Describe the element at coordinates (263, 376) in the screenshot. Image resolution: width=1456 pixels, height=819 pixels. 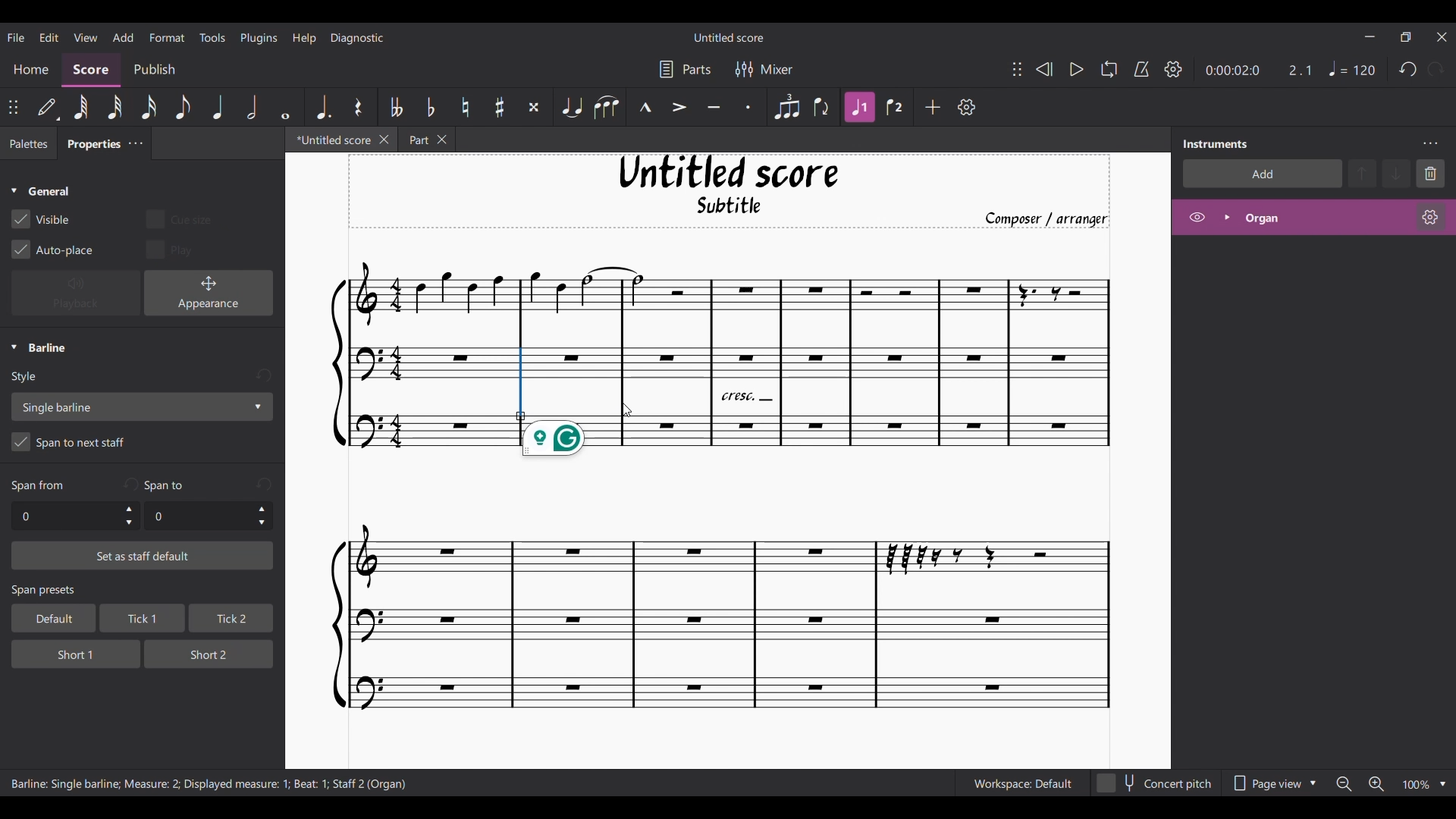
I see `Undo input made` at that location.